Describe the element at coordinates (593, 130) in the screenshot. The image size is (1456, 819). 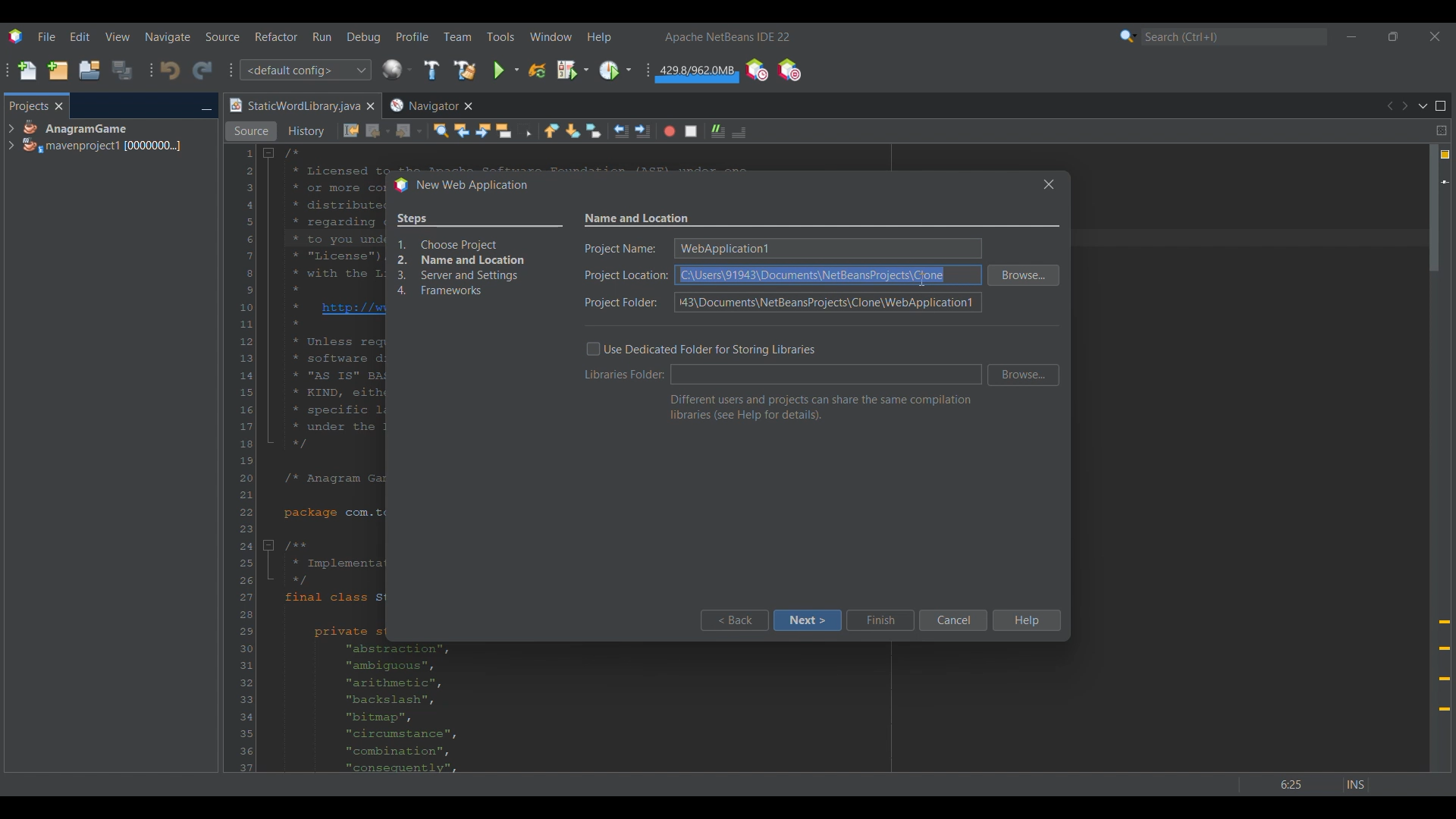
I see `Toggle bookmarks` at that location.